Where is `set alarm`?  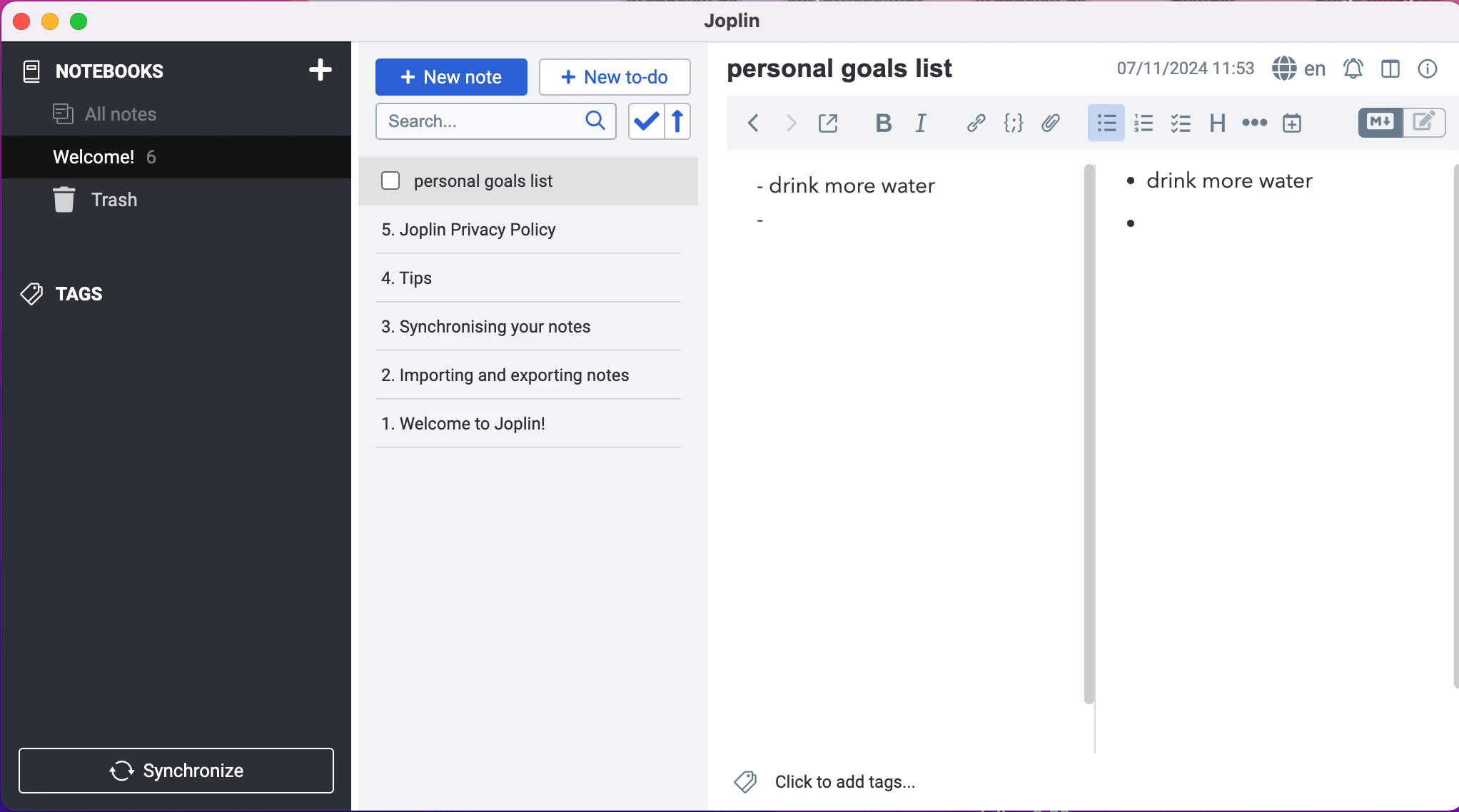
set alarm is located at coordinates (1351, 66).